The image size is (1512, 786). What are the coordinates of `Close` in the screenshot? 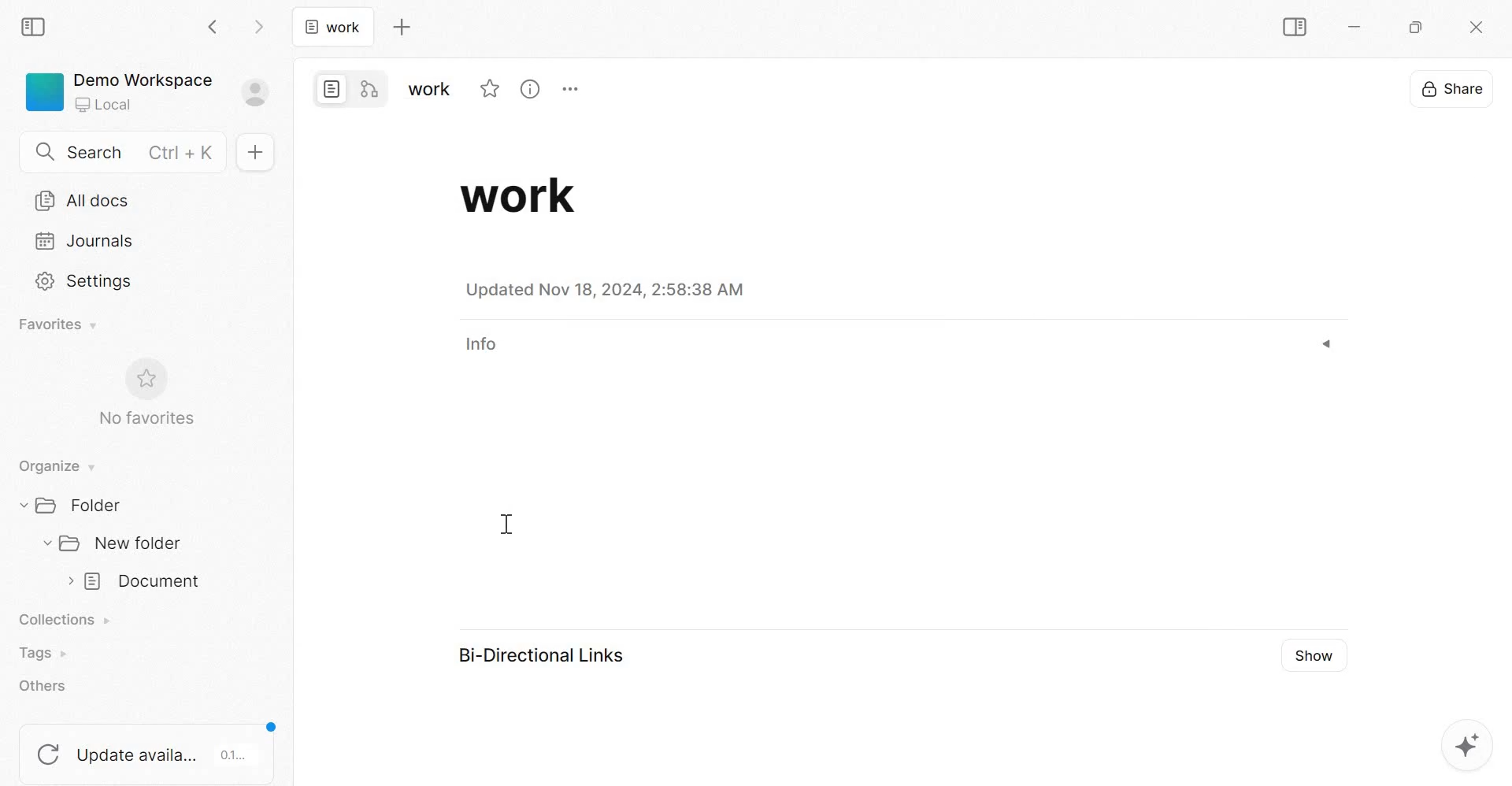 It's located at (1473, 28).